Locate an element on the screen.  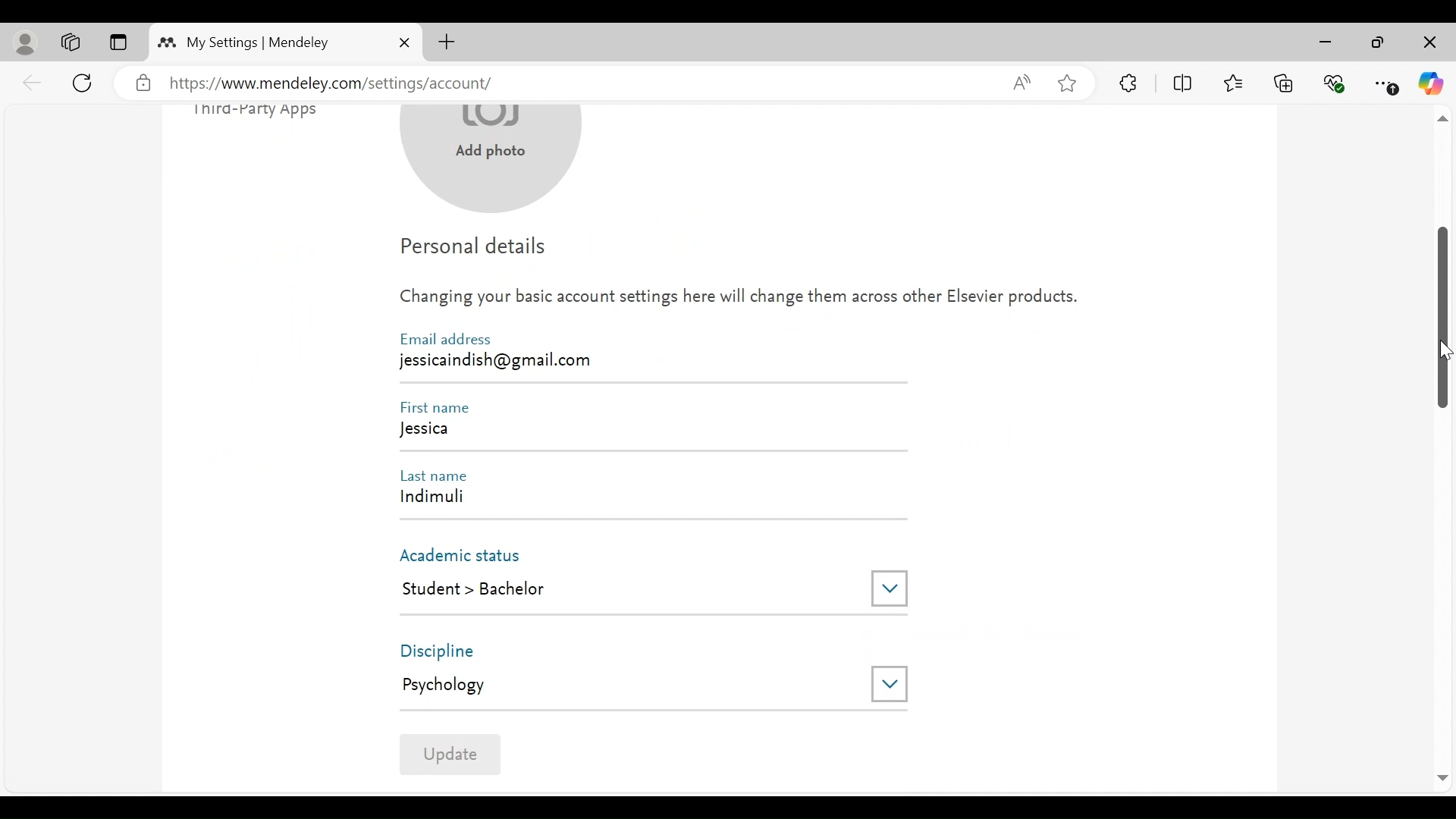
Extensions is located at coordinates (1129, 83).